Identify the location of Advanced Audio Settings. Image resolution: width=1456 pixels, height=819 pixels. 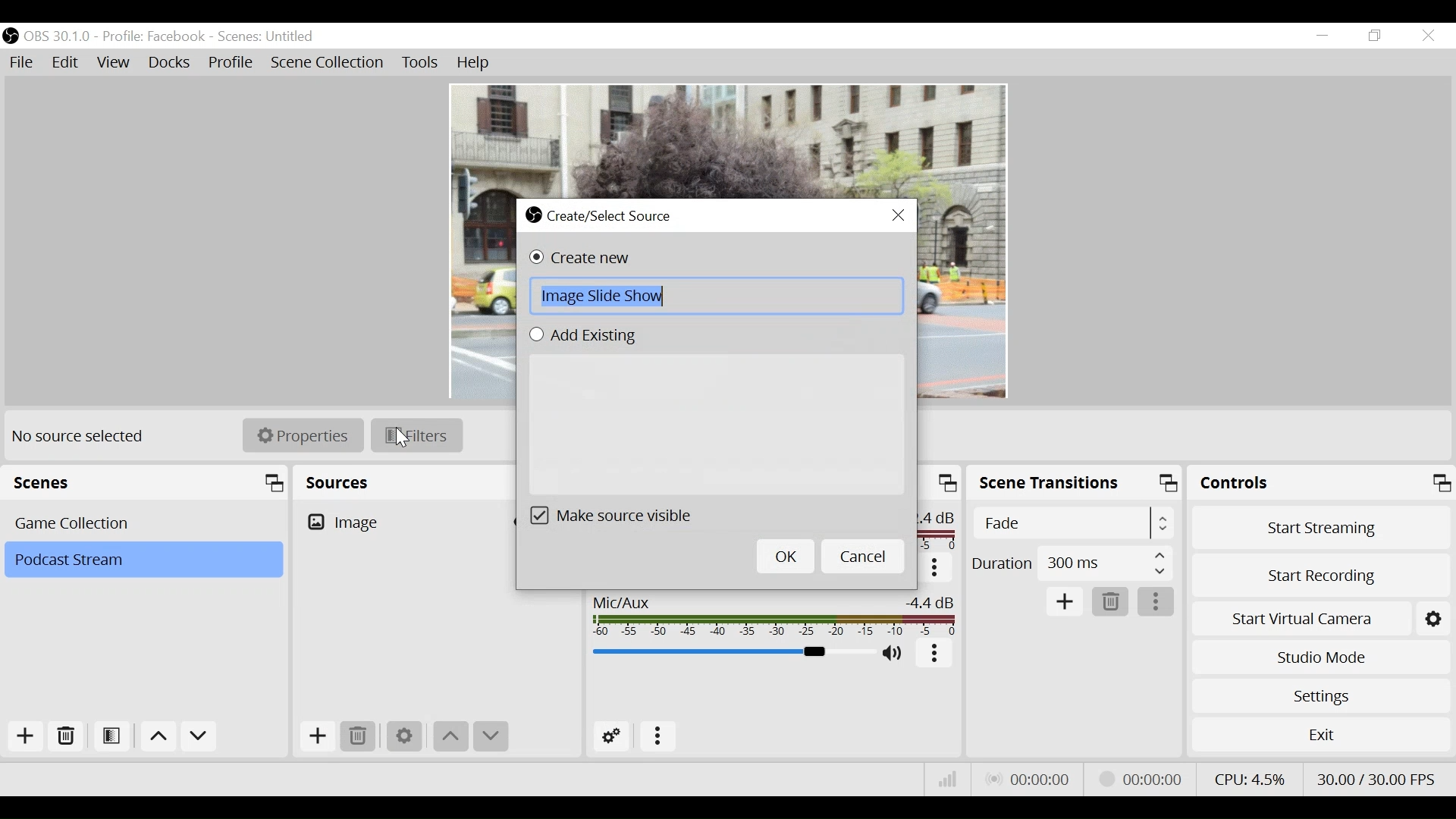
(617, 737).